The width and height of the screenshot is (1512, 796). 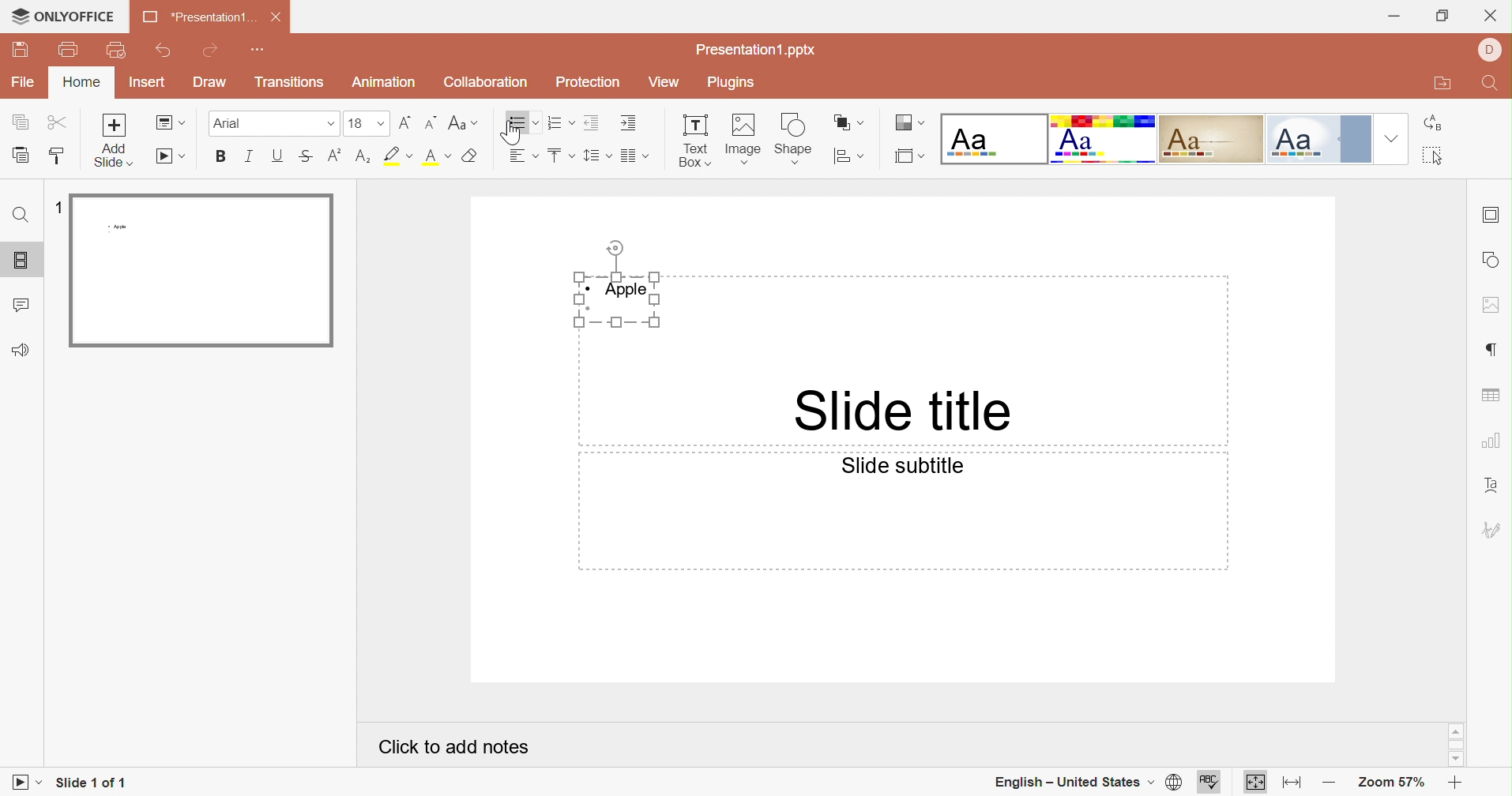 I want to click on image settings, so click(x=1493, y=302).